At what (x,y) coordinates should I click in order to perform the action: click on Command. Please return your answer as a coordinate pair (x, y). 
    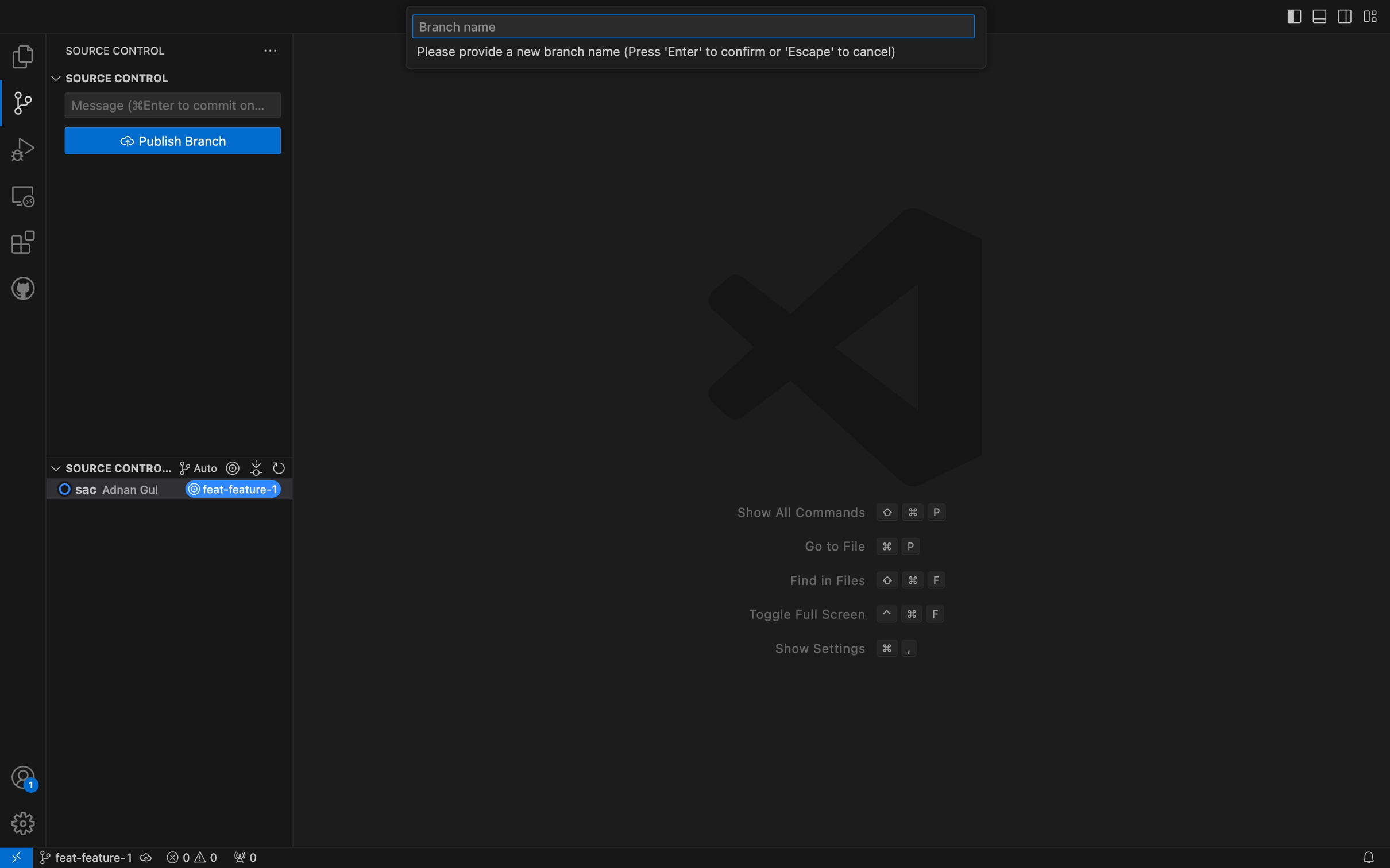
    Looking at the image, I should click on (886, 648).